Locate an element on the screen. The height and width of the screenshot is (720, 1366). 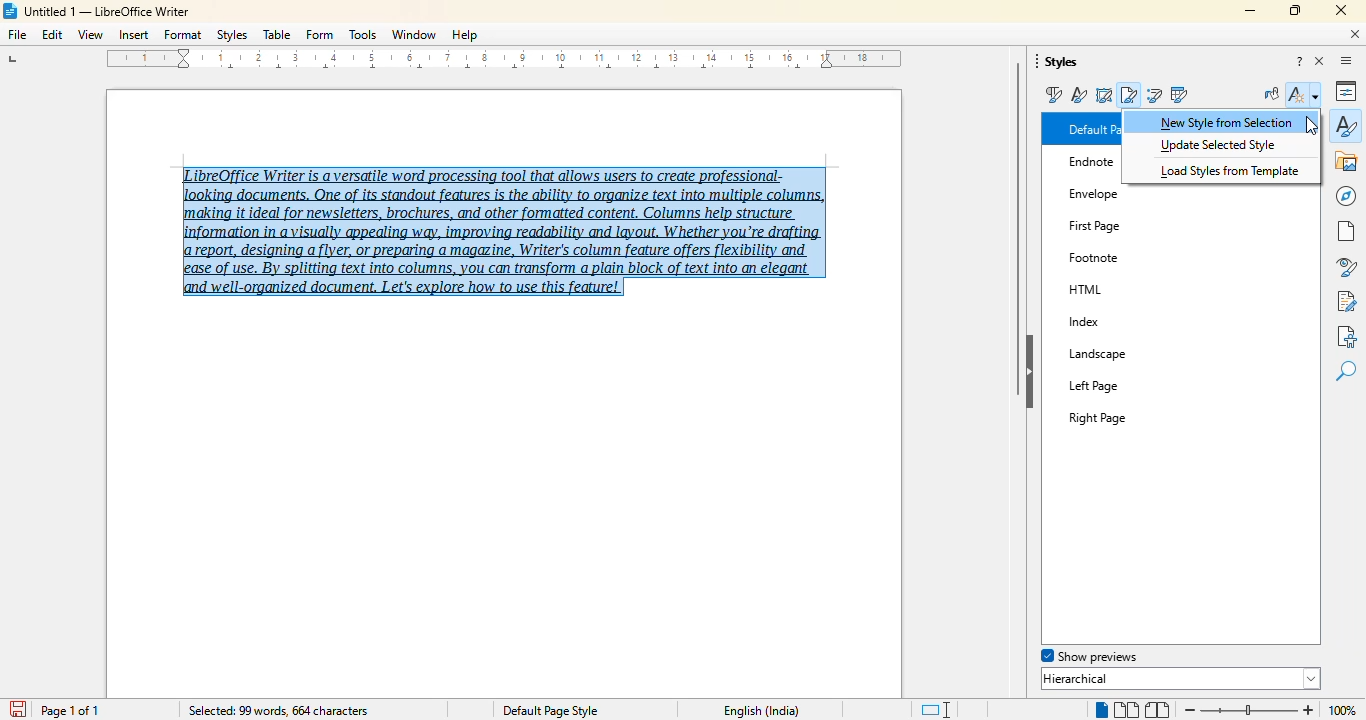
Change zoom level is located at coordinates (1250, 707).